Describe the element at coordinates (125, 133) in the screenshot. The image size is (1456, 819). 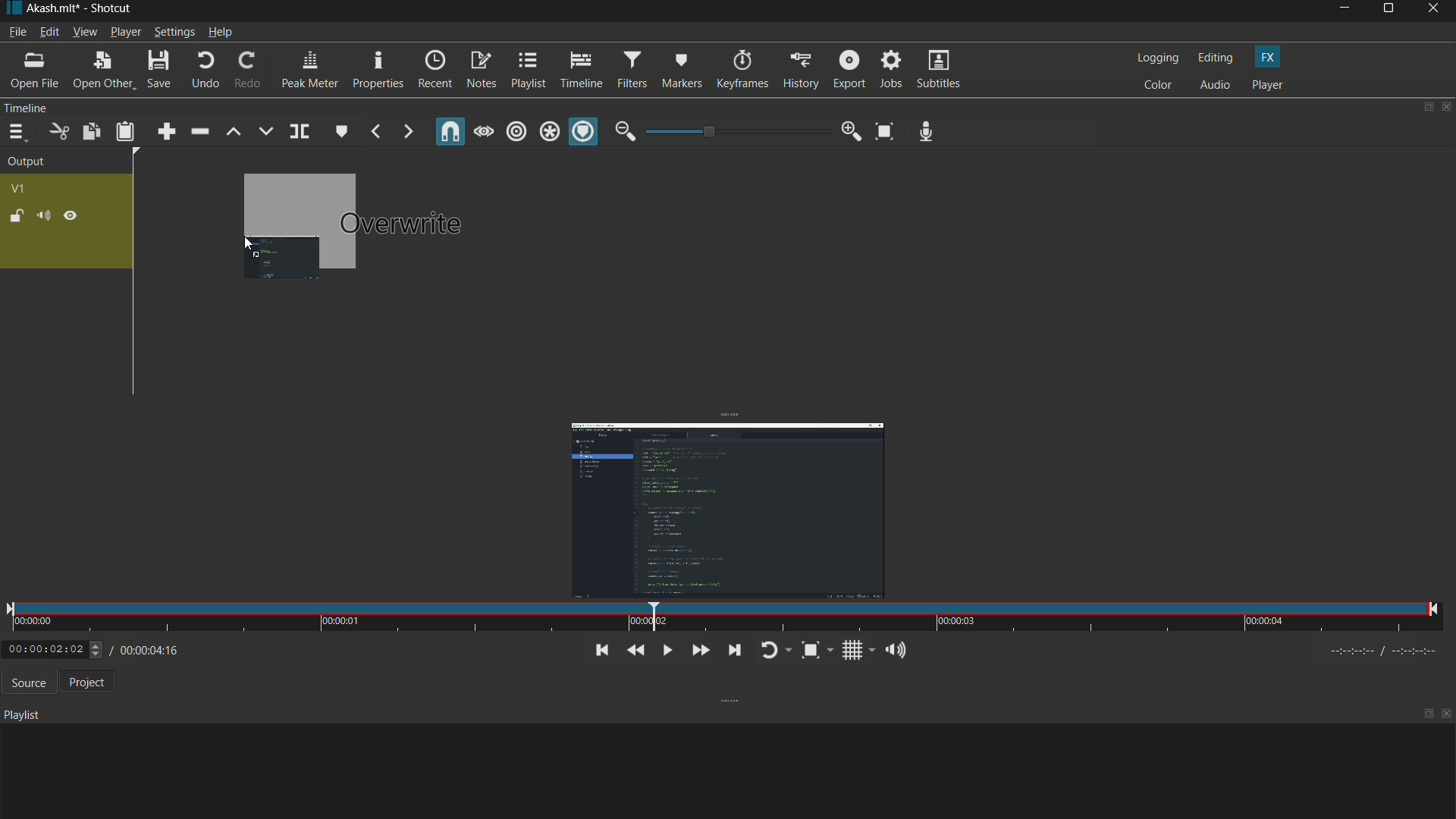
I see `paste` at that location.